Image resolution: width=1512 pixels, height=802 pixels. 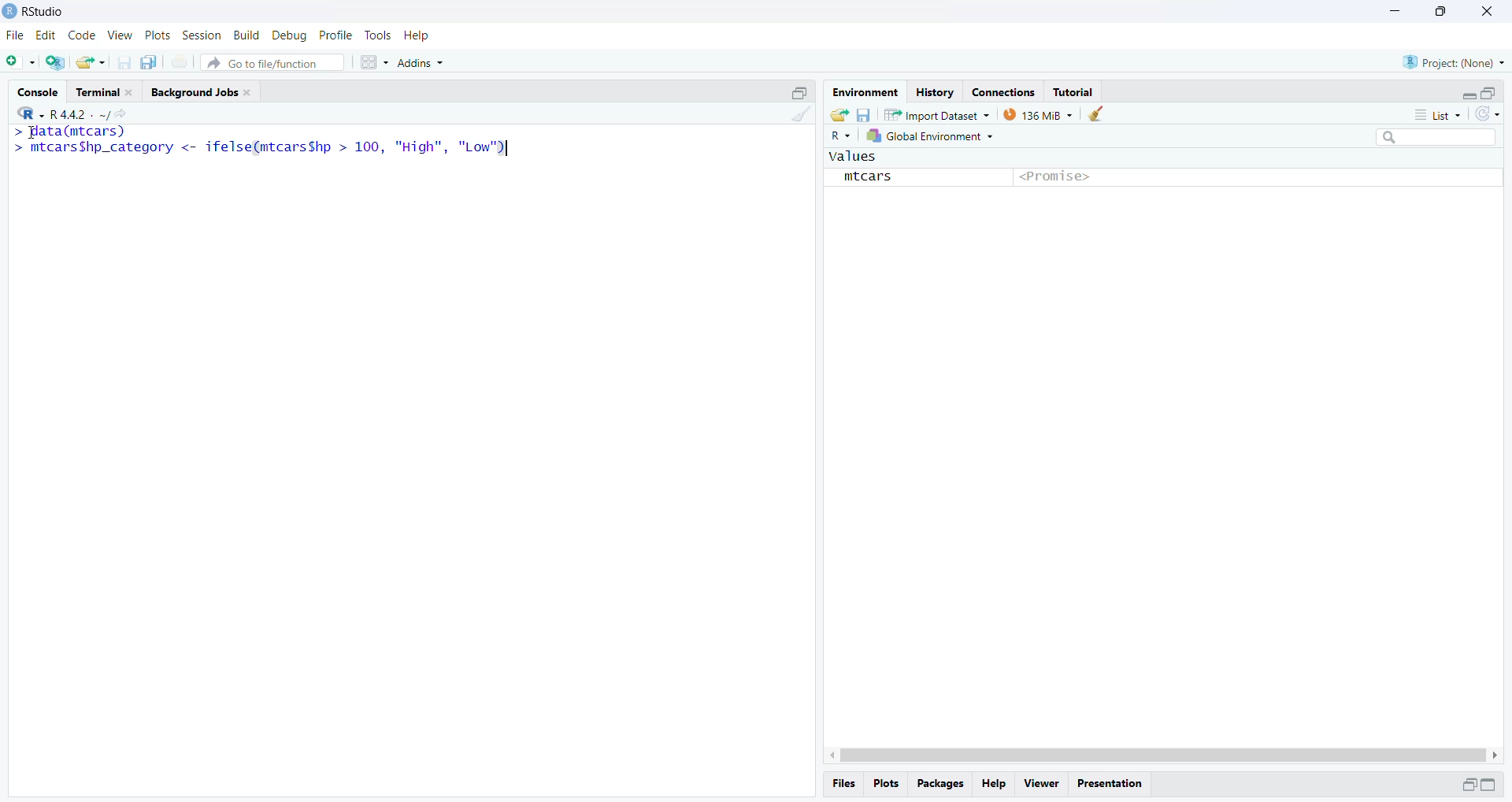 I want to click on Tutorial, so click(x=1076, y=91).